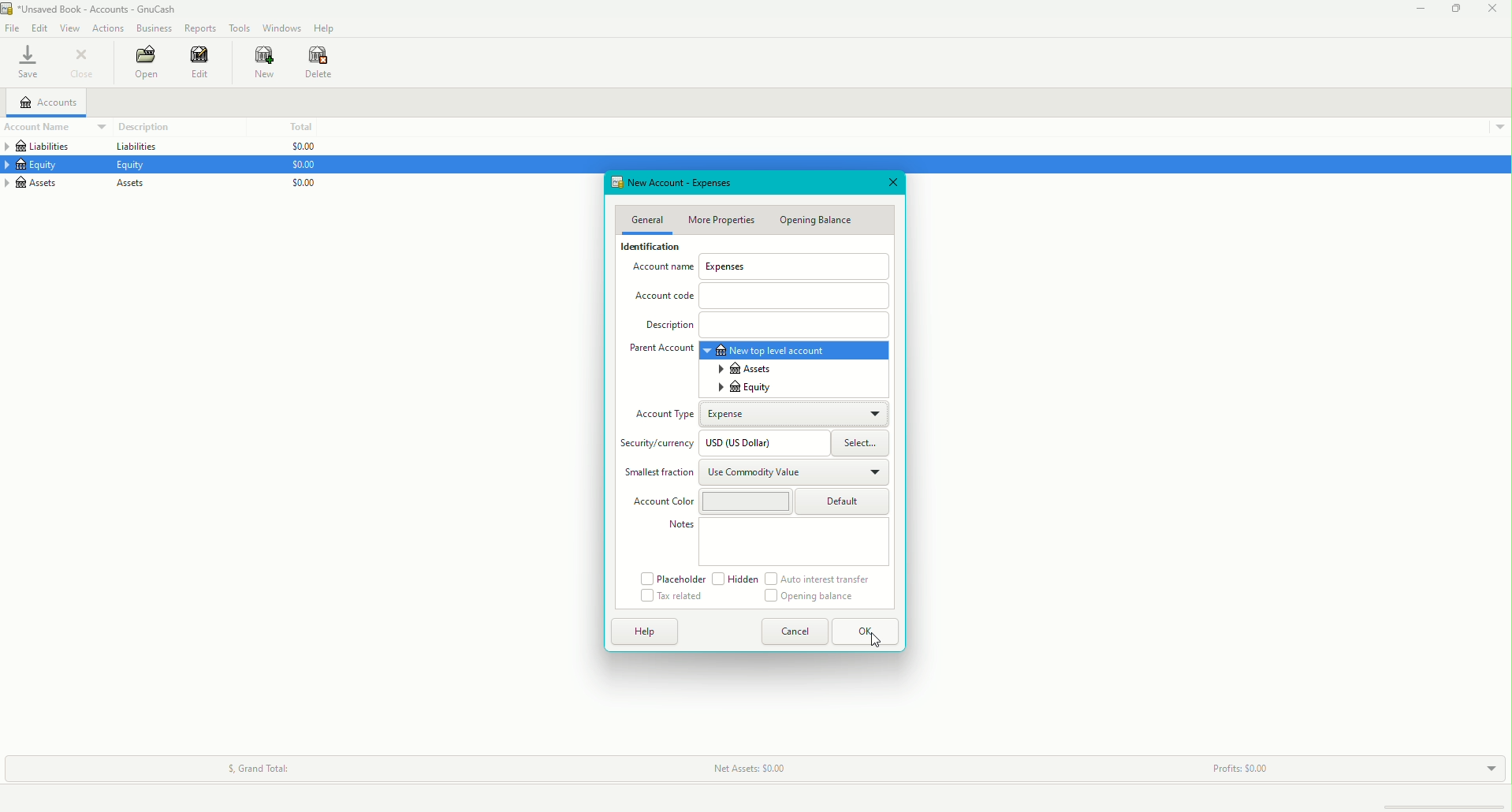 Image resolution: width=1512 pixels, height=812 pixels. What do you see at coordinates (69, 27) in the screenshot?
I see `View` at bounding box center [69, 27].